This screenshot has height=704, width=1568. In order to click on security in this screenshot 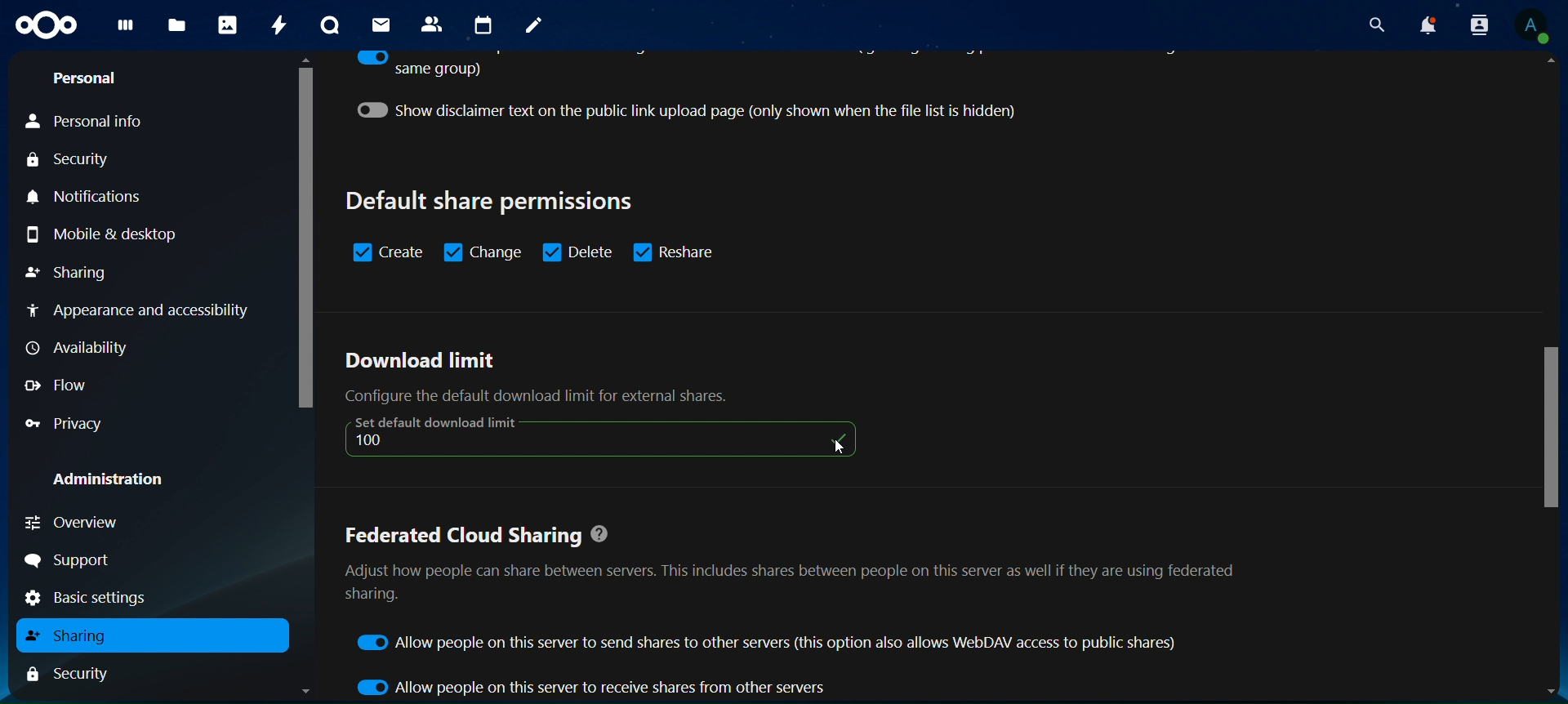, I will do `click(69, 160)`.